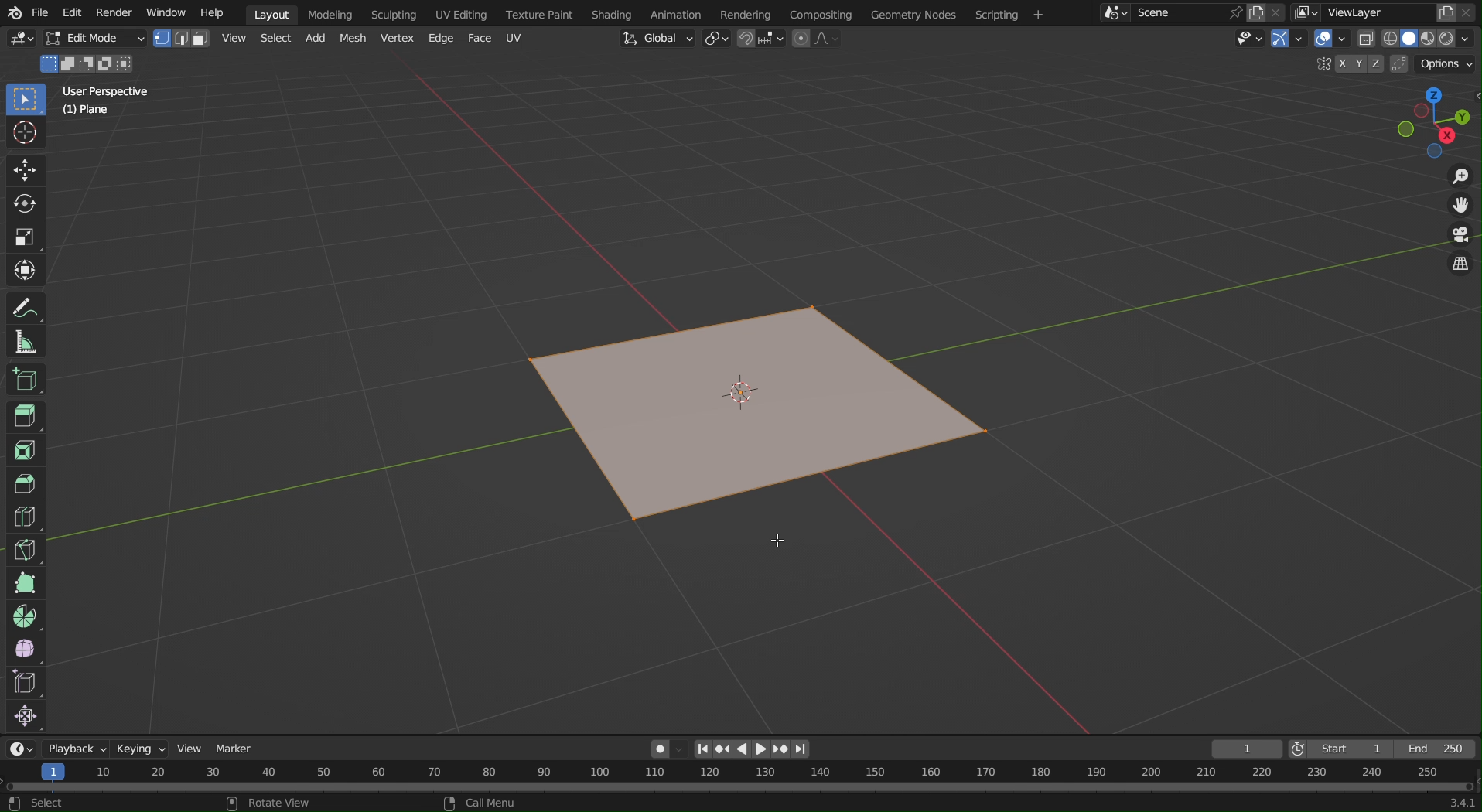  What do you see at coordinates (26, 340) in the screenshot?
I see `Measure` at bounding box center [26, 340].